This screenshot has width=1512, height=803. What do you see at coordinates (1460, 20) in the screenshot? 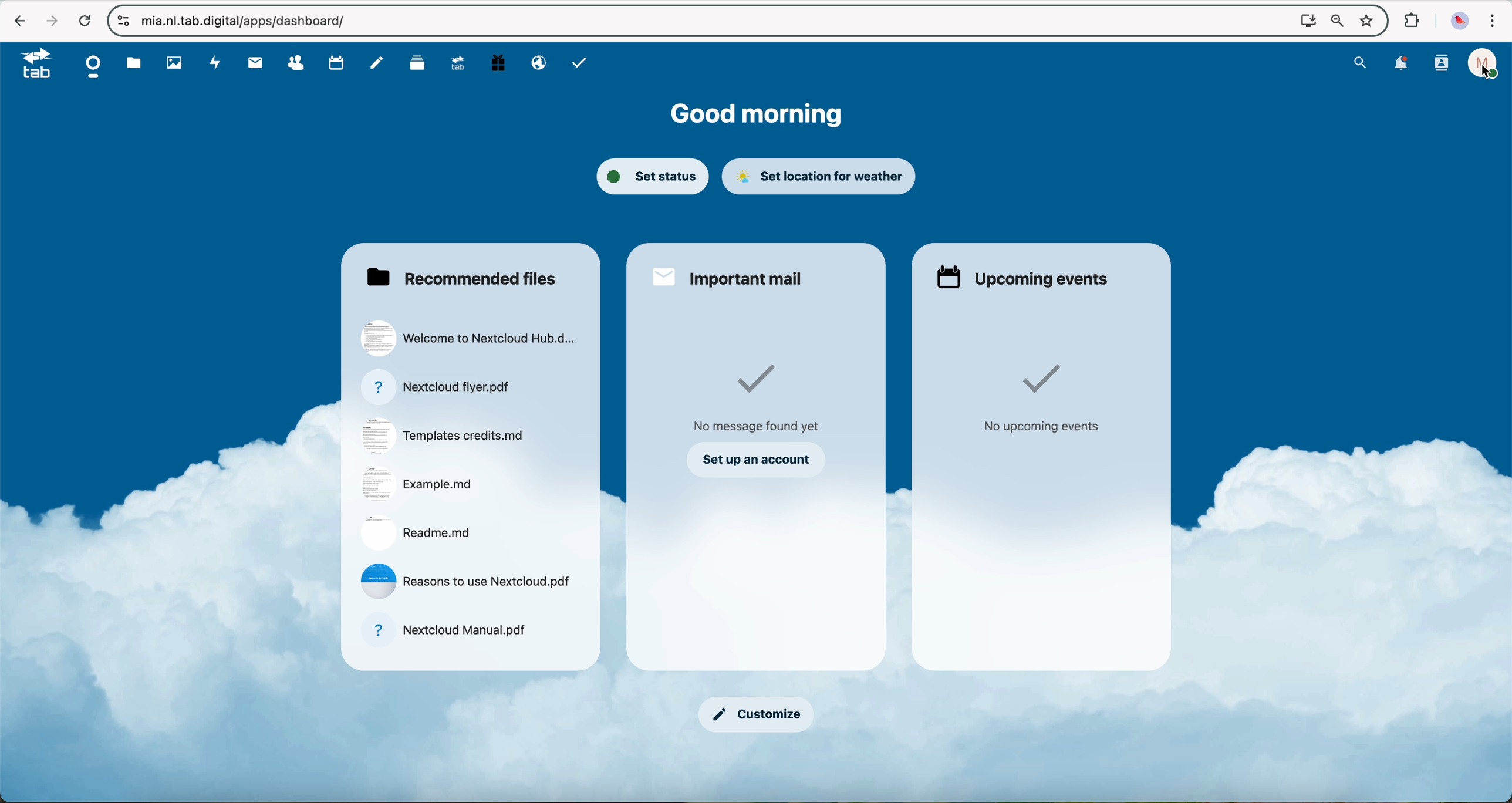
I see `profile picture` at bounding box center [1460, 20].